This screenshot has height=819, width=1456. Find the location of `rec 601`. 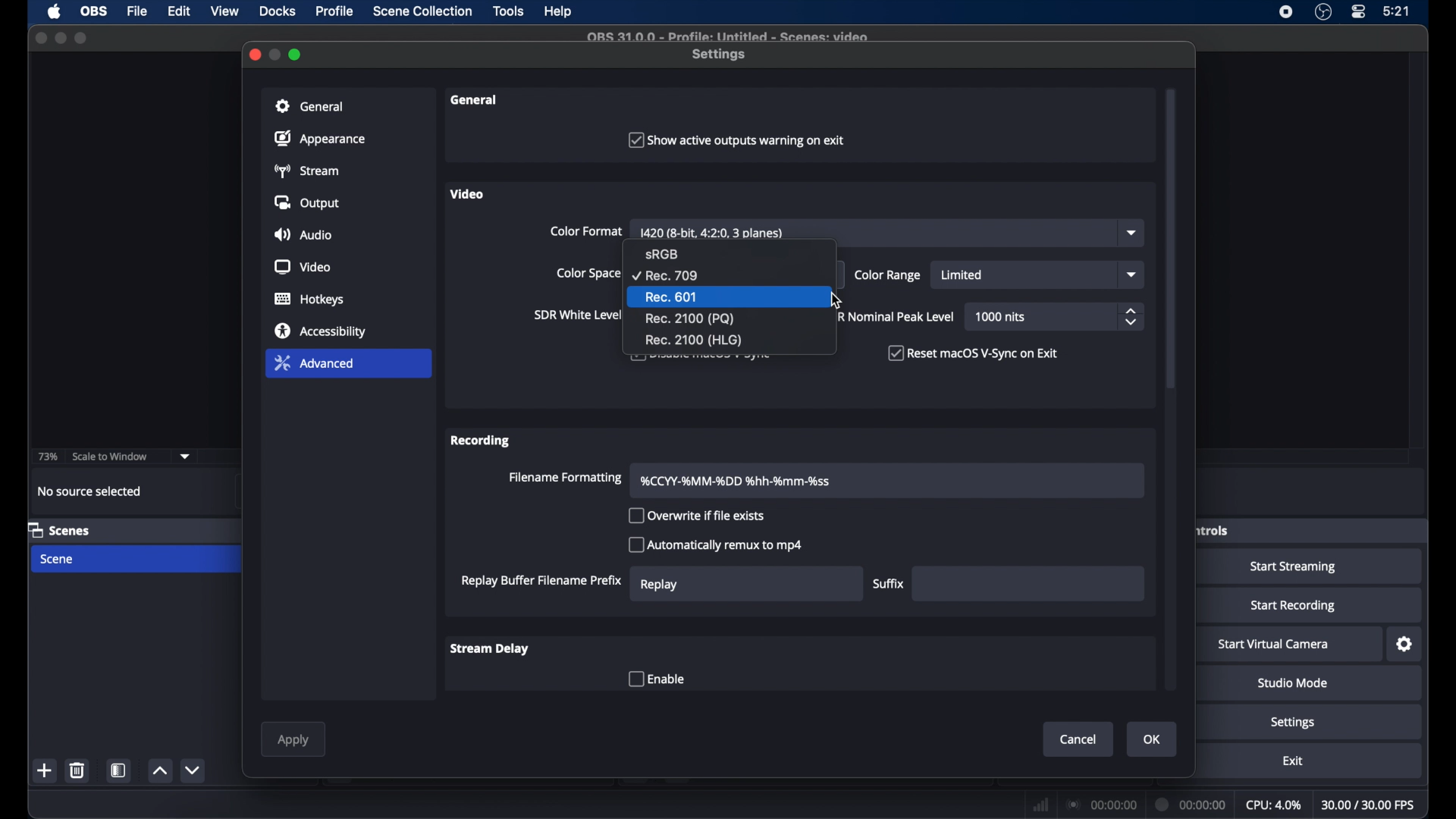

rec 601 is located at coordinates (672, 297).